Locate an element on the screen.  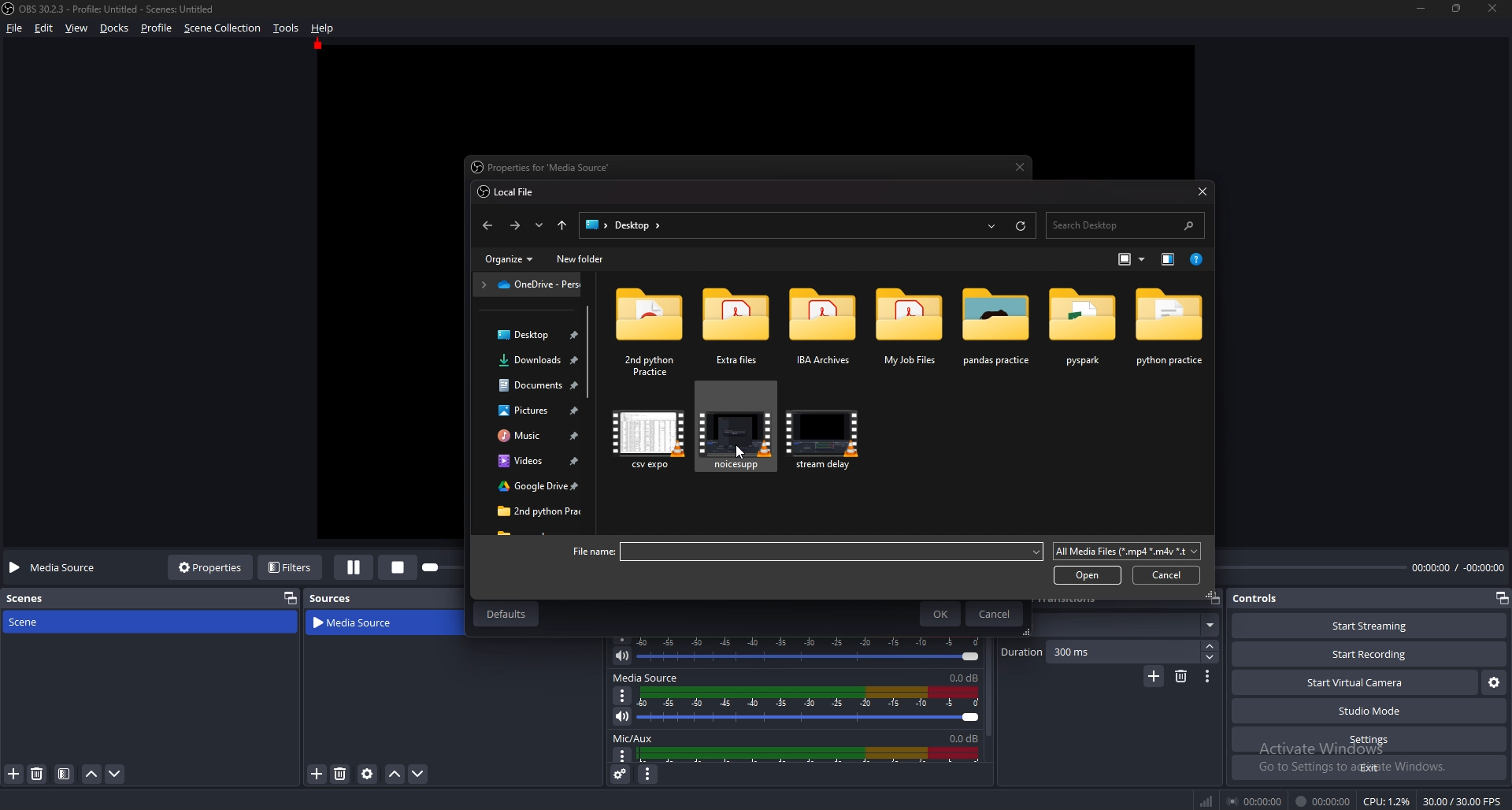
Docks is located at coordinates (117, 28).